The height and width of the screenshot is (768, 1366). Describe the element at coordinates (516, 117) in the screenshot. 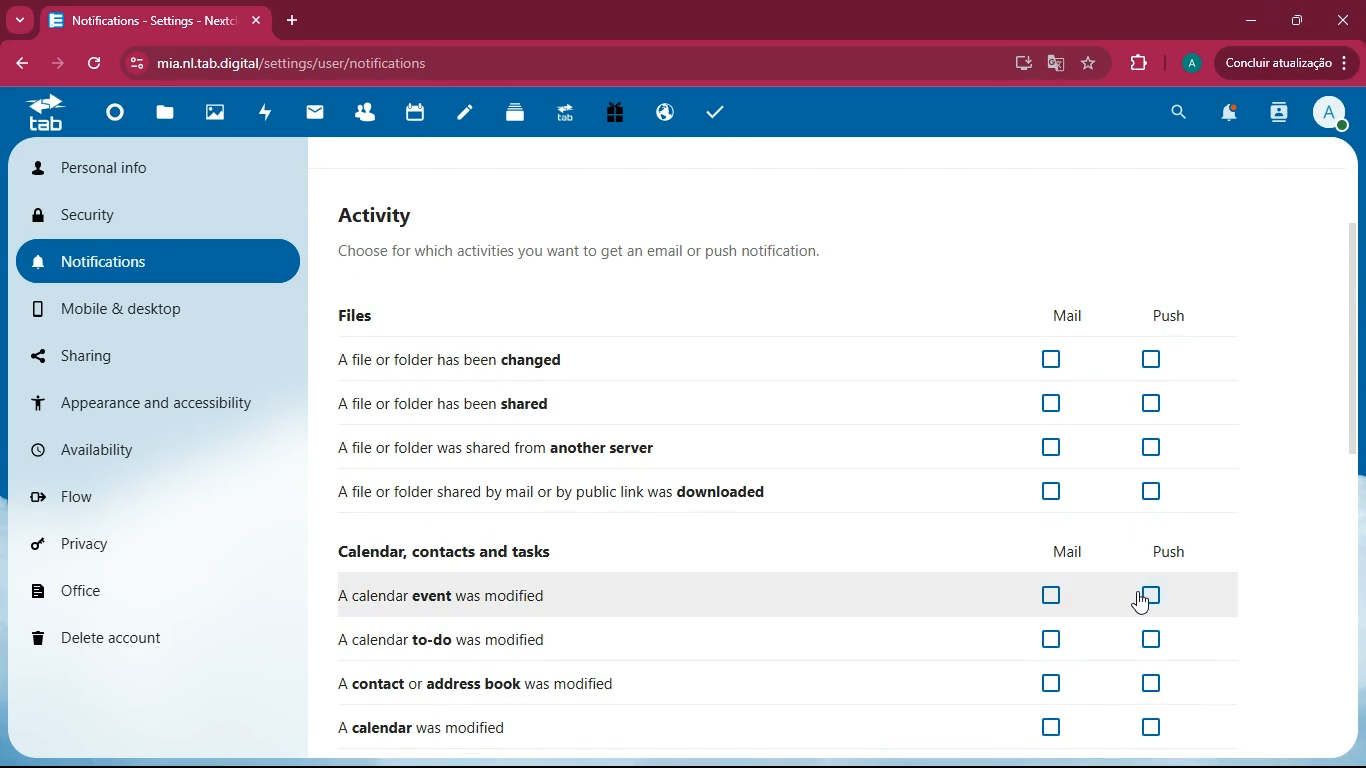

I see `layers` at that location.